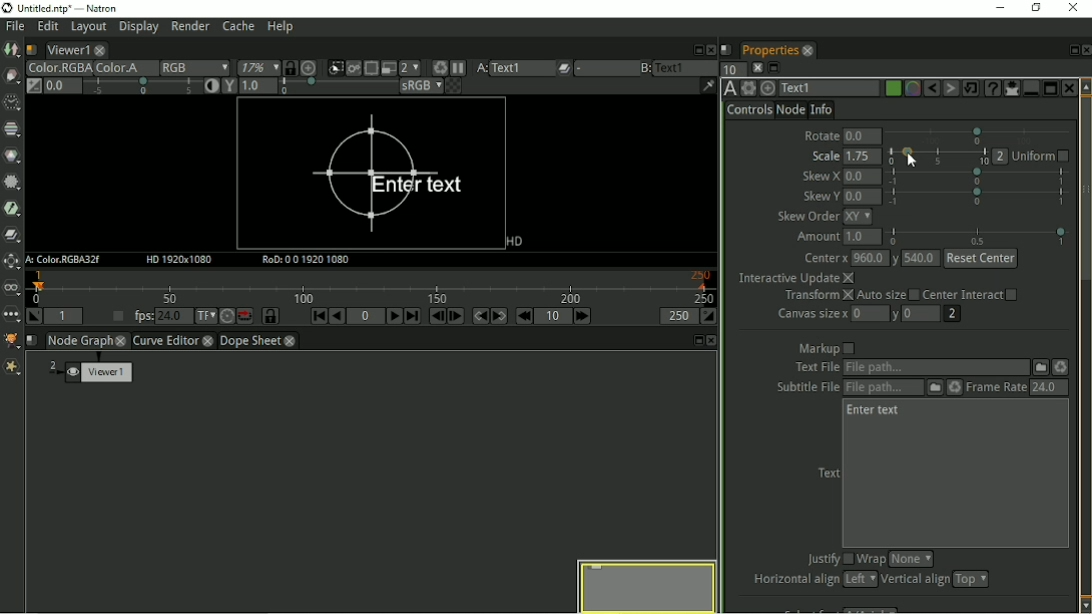 This screenshot has height=614, width=1092. Describe the element at coordinates (756, 67) in the screenshot. I see `Close` at that location.